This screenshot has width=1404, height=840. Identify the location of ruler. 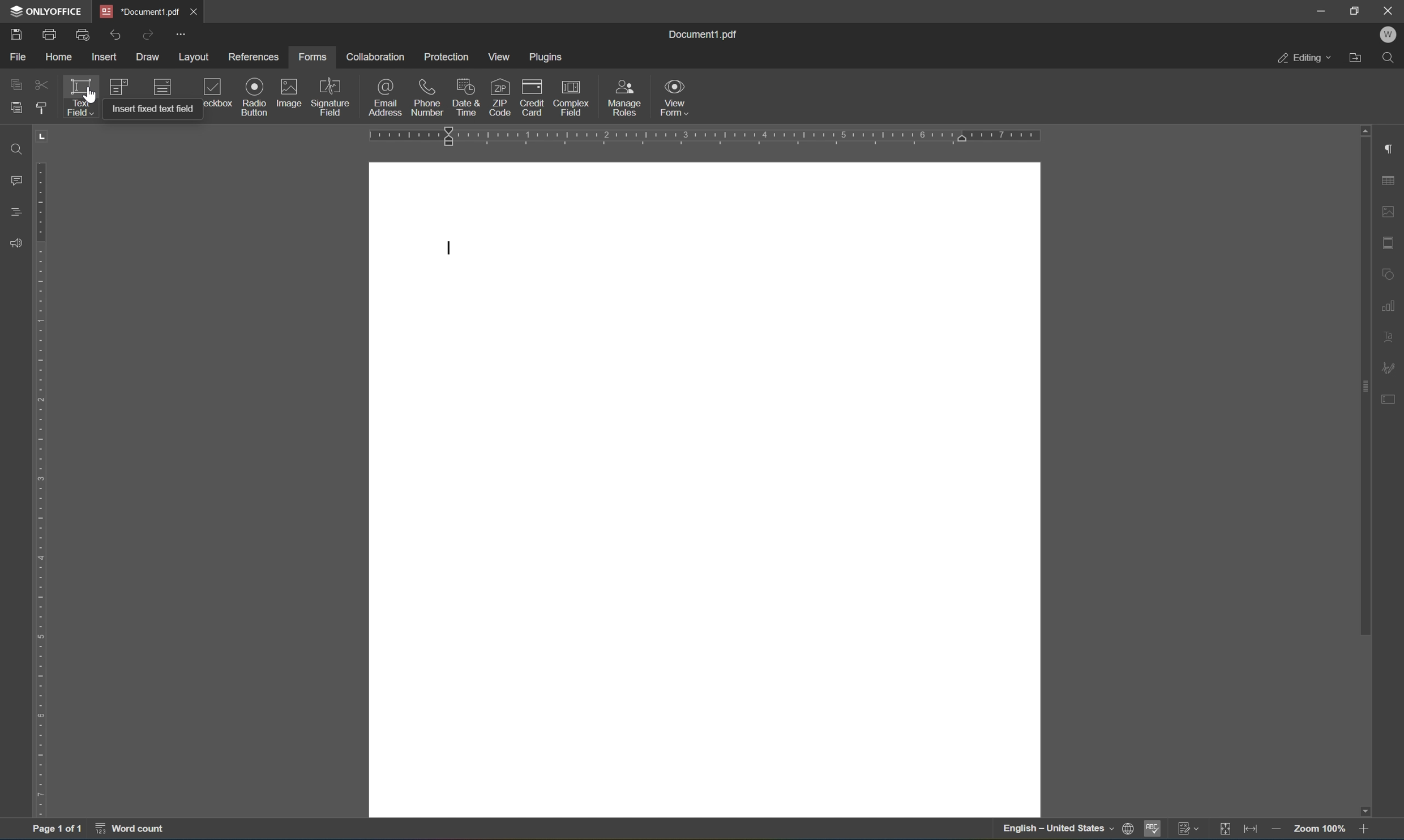
(37, 490).